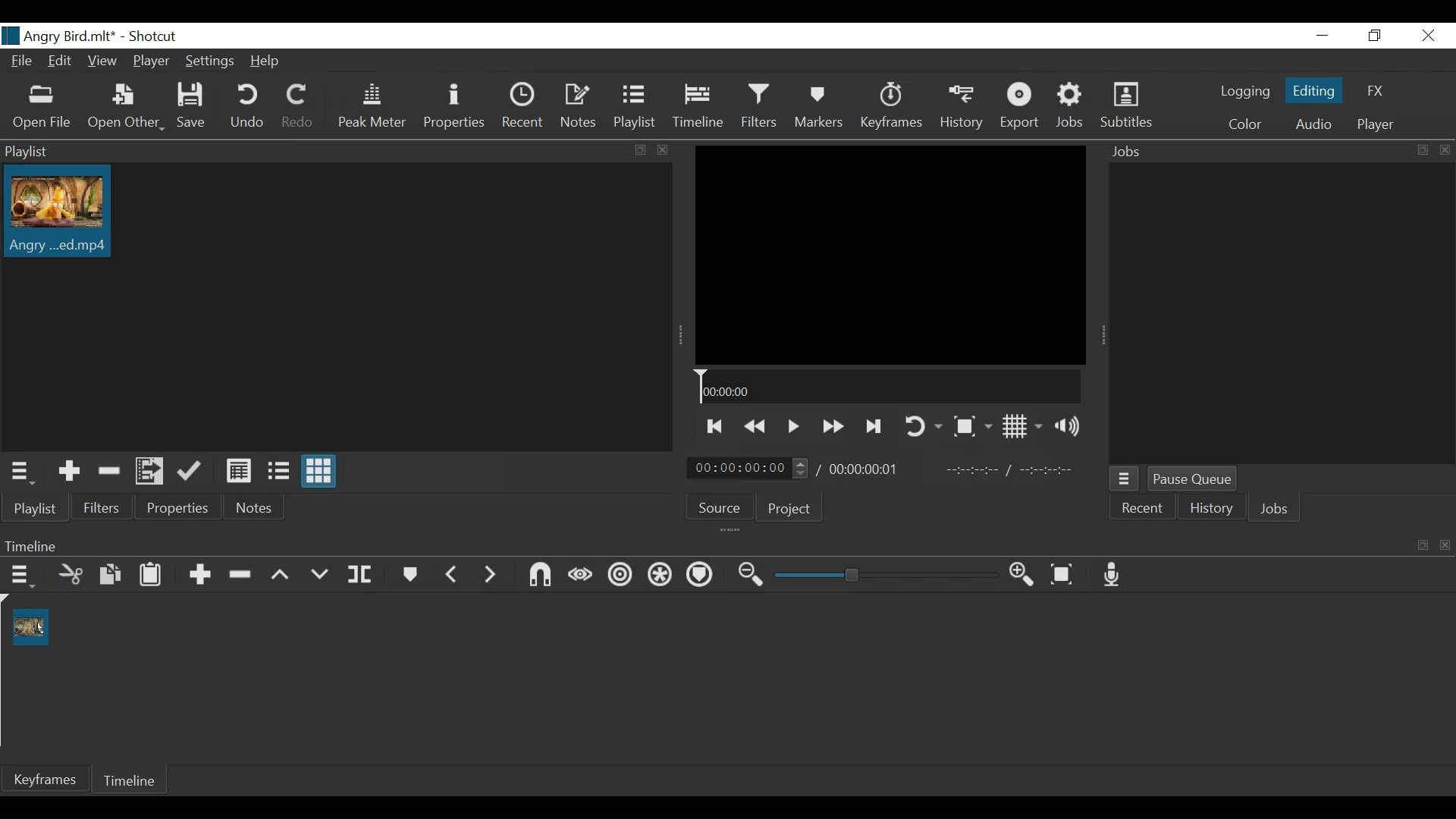 Image resolution: width=1456 pixels, height=819 pixels. What do you see at coordinates (71, 575) in the screenshot?
I see `Cut` at bounding box center [71, 575].